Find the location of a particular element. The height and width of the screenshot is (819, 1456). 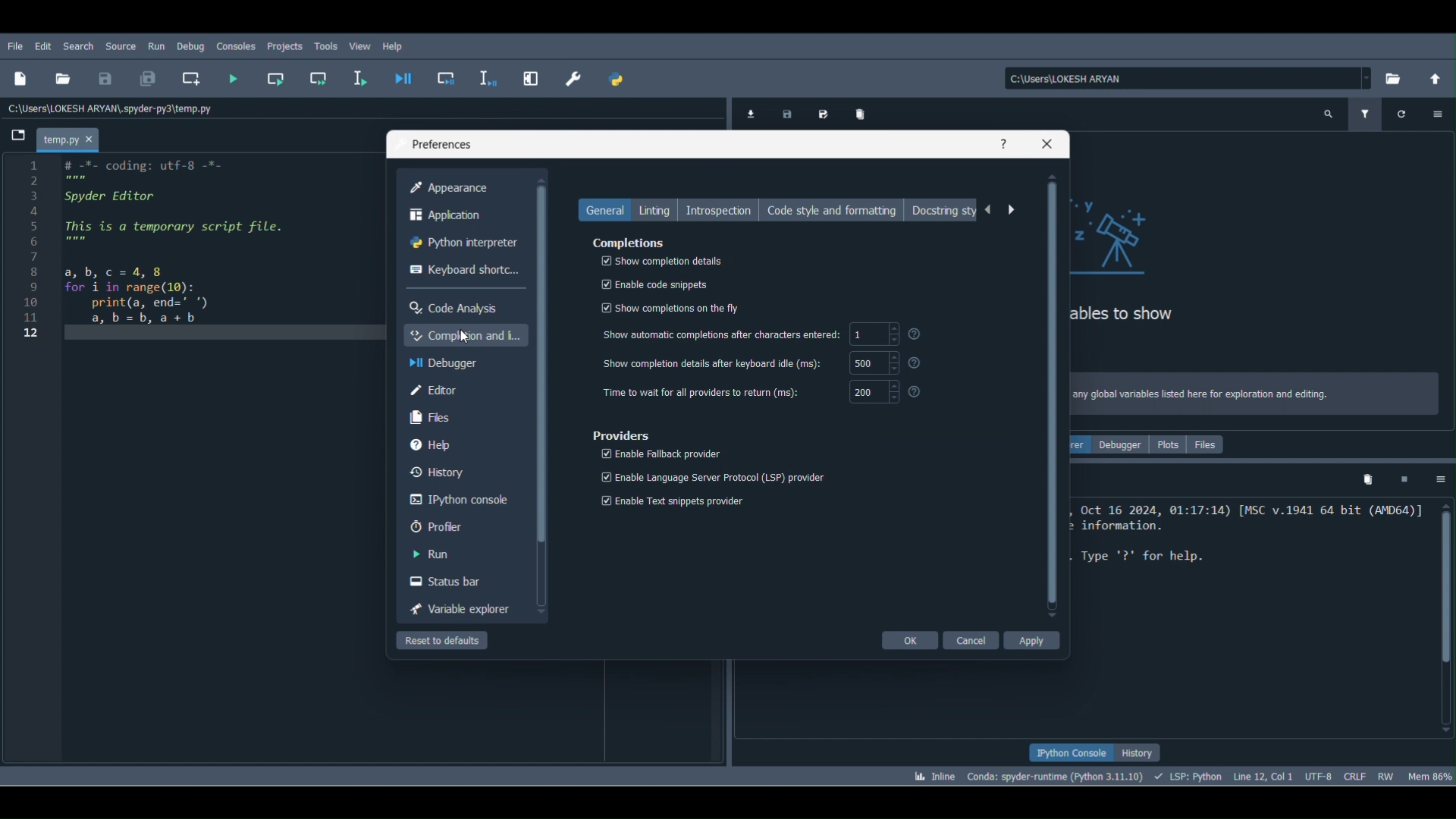

Save data as is located at coordinates (825, 111).